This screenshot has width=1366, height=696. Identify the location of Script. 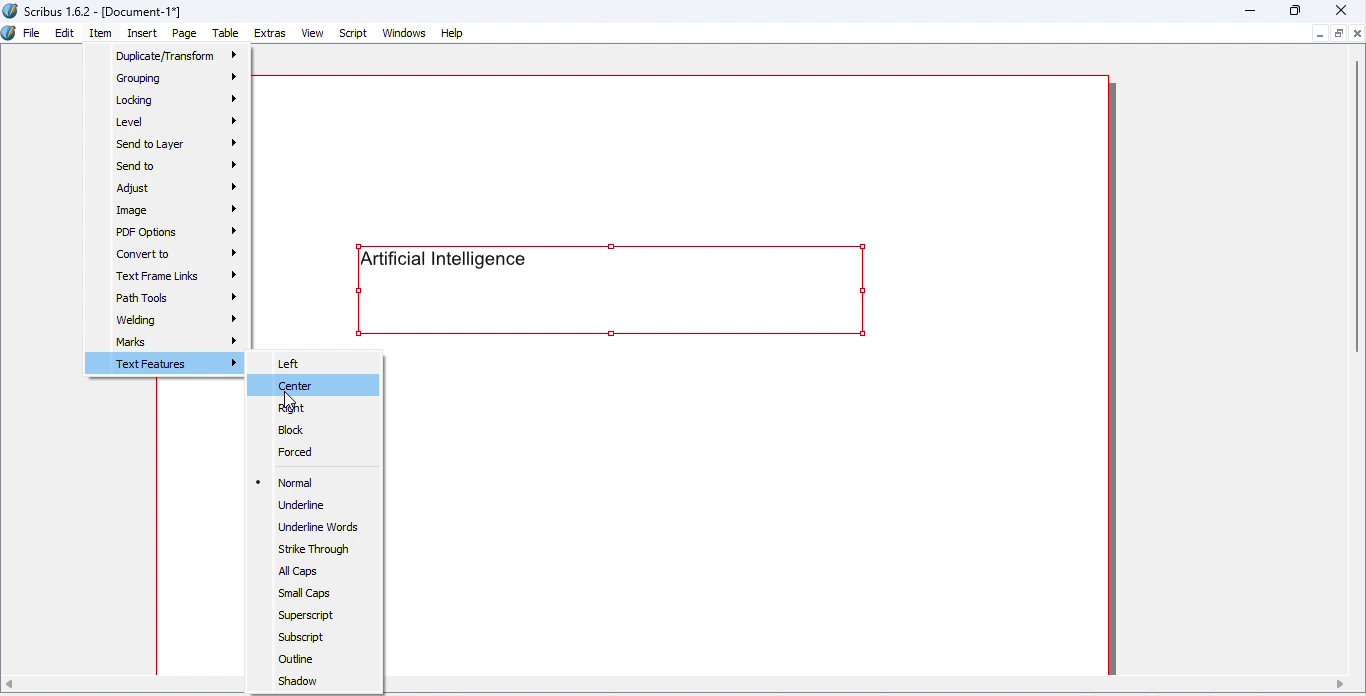
(354, 33).